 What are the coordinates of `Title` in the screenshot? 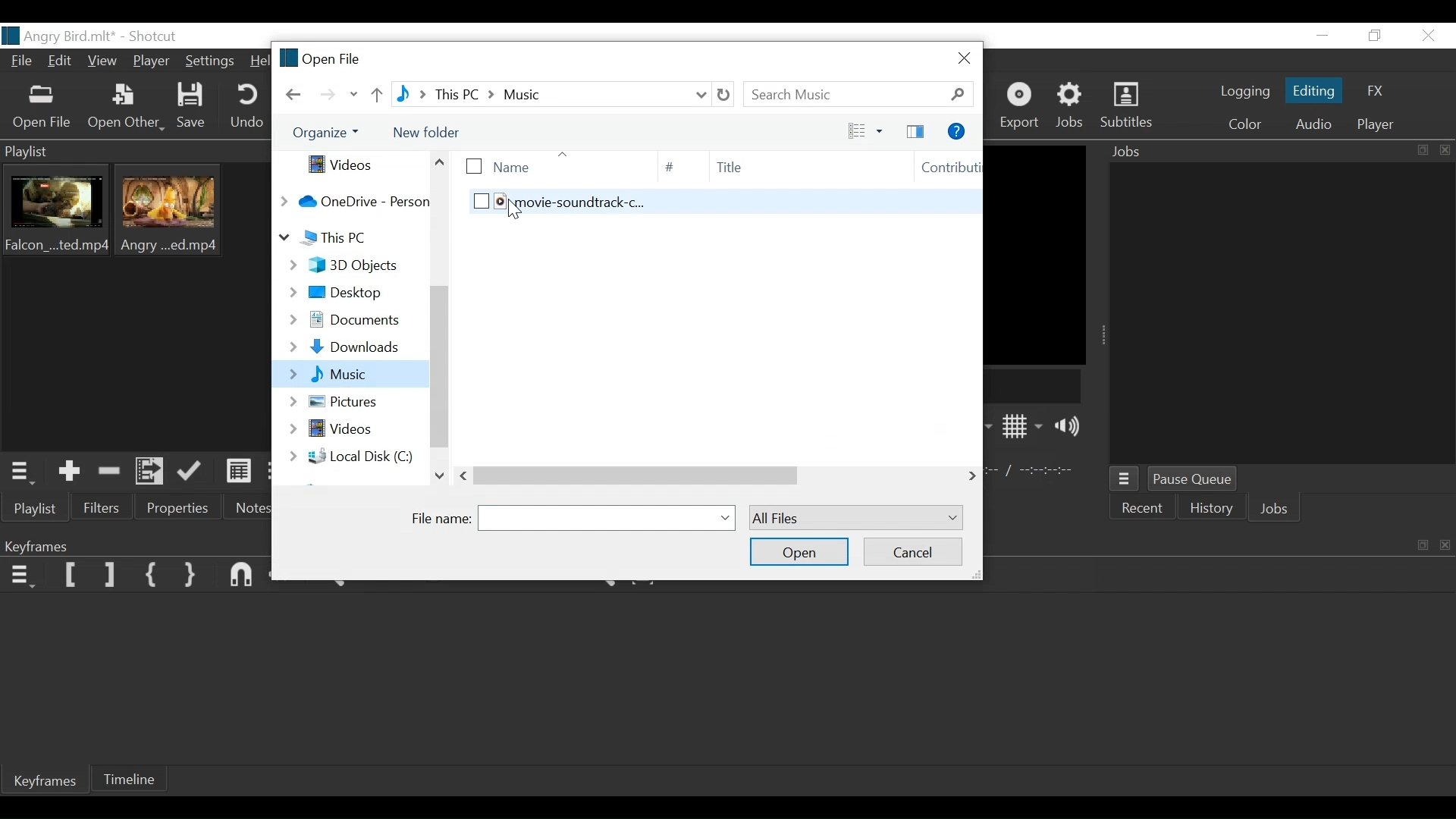 It's located at (787, 167).